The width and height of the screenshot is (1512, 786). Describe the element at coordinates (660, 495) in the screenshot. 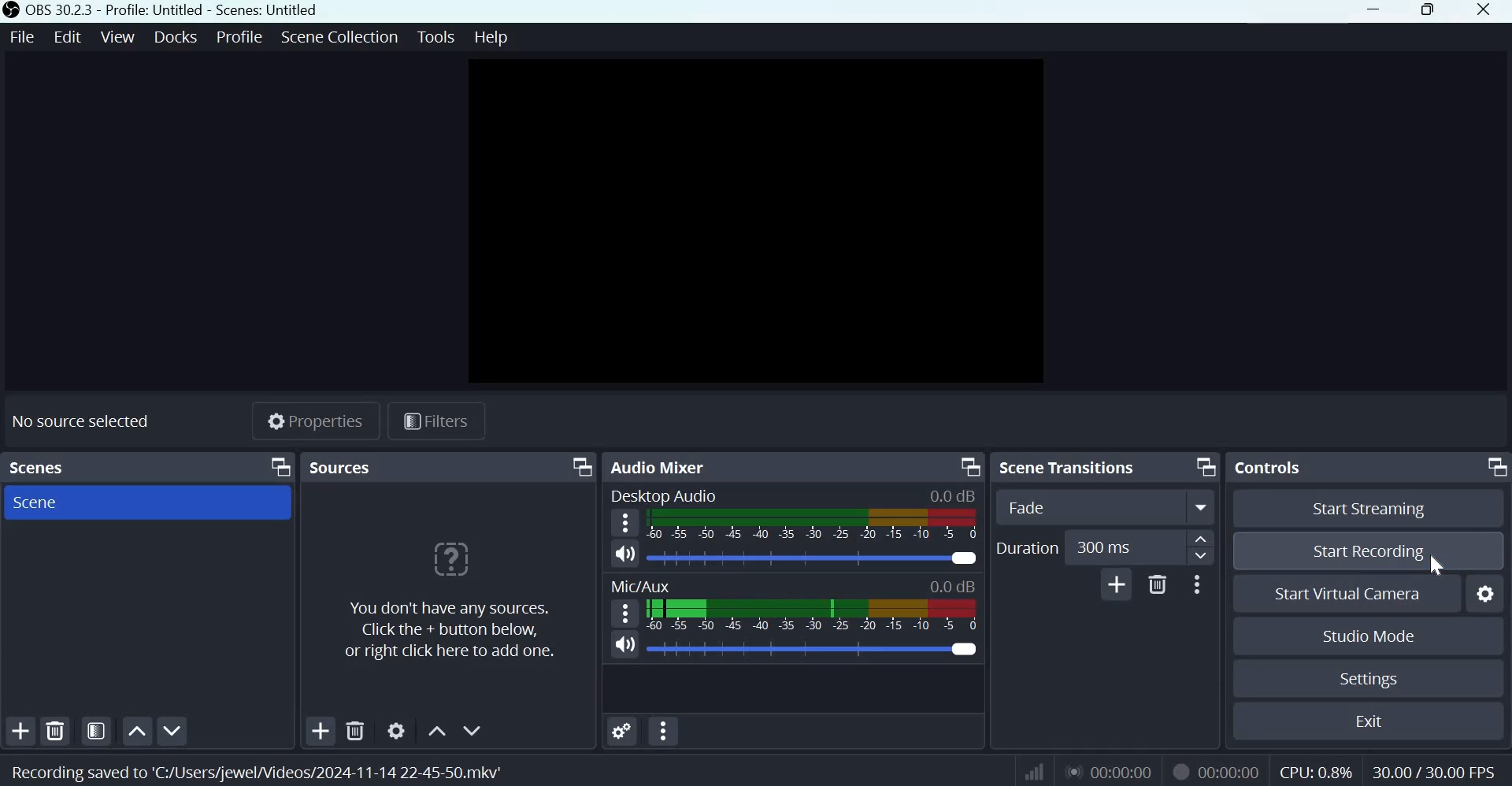

I see `Desktop Audio` at that location.